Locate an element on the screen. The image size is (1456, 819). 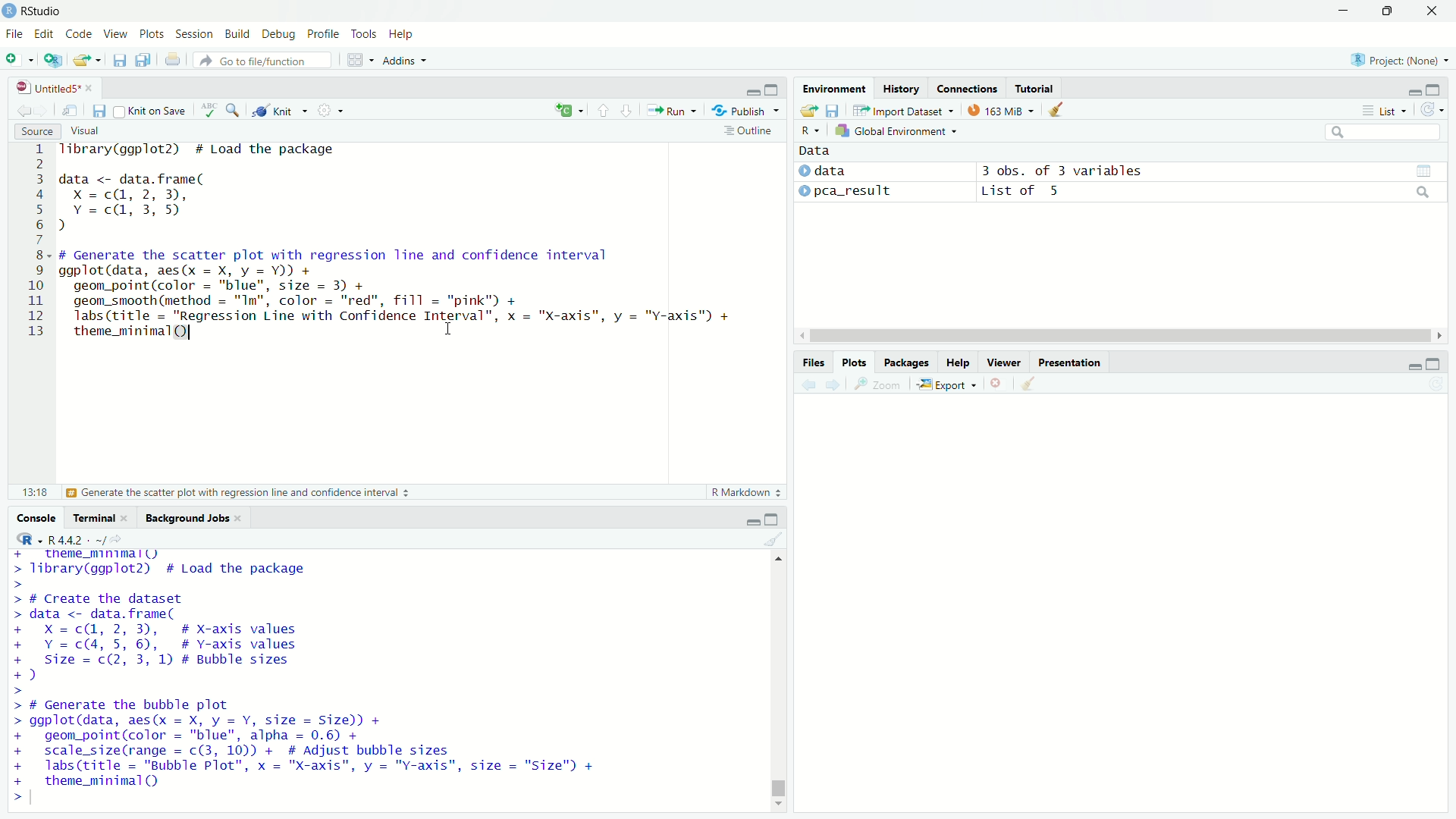
Help is located at coordinates (958, 362).